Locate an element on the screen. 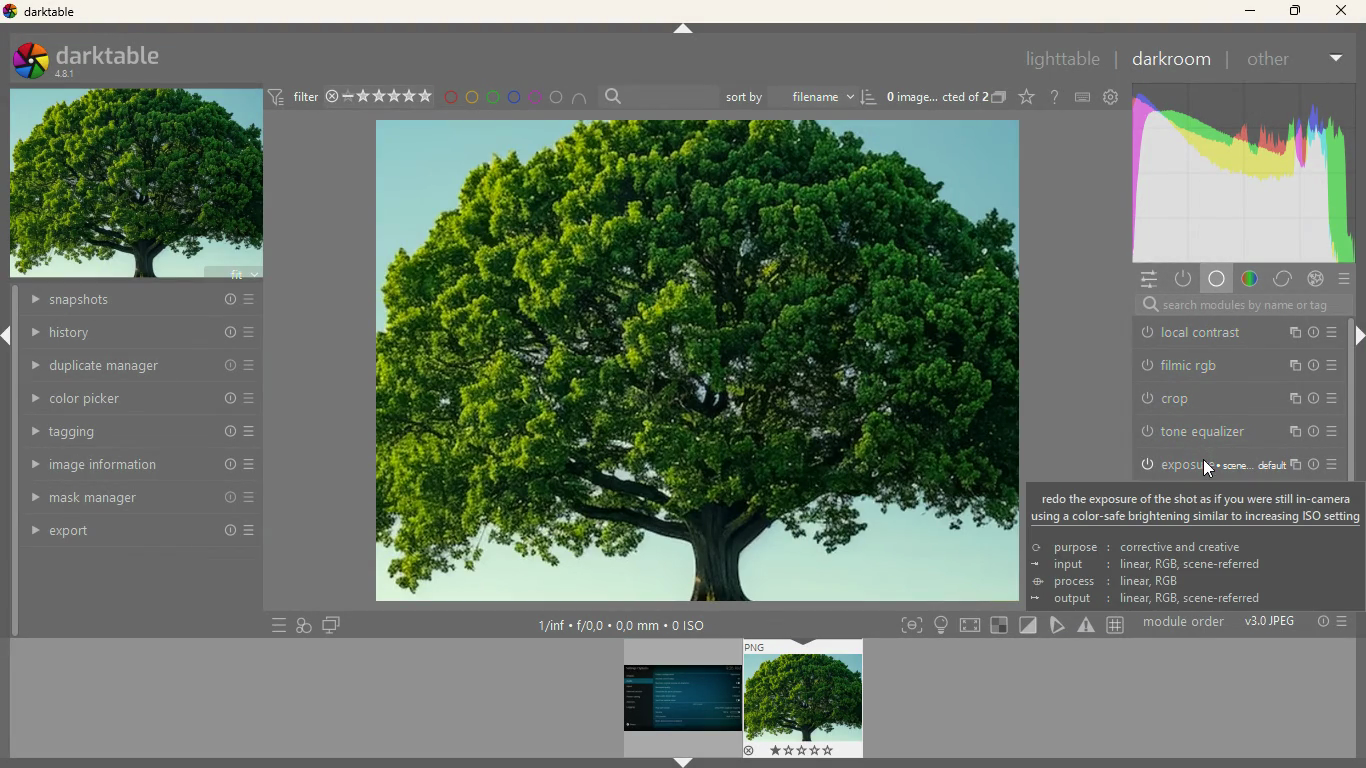 The height and width of the screenshot is (768, 1366). cursor is located at coordinates (1208, 468).